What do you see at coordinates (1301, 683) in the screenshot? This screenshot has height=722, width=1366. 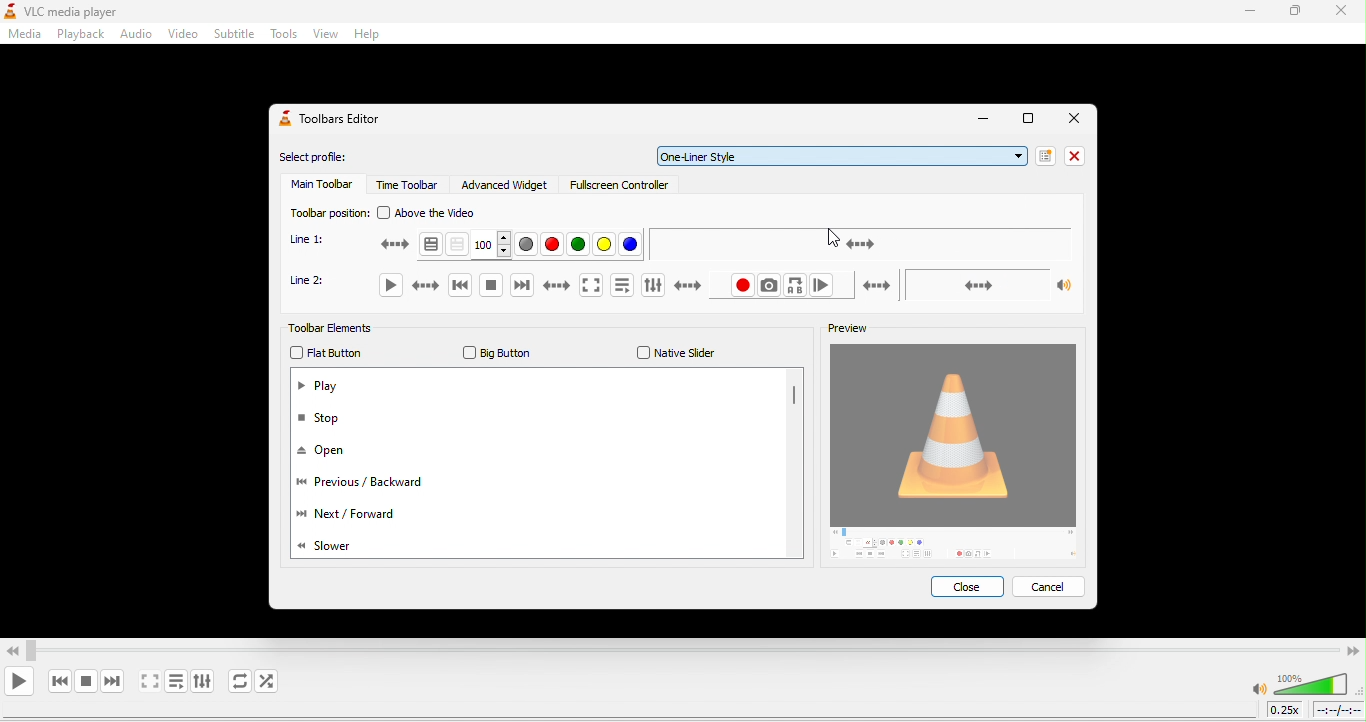 I see `volume` at bounding box center [1301, 683].